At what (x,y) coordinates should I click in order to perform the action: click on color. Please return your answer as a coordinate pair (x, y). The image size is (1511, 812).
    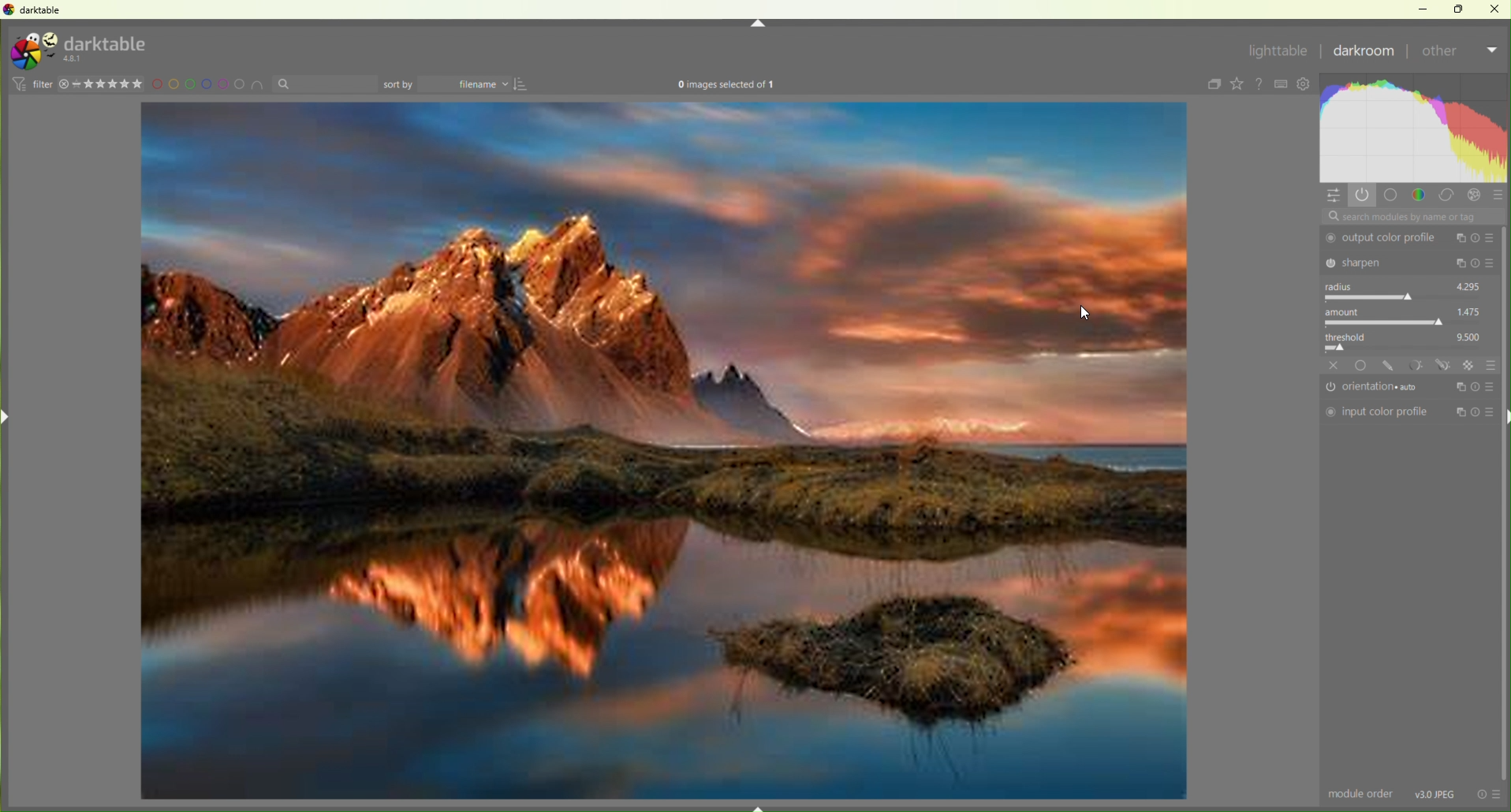
    Looking at the image, I should click on (1419, 194).